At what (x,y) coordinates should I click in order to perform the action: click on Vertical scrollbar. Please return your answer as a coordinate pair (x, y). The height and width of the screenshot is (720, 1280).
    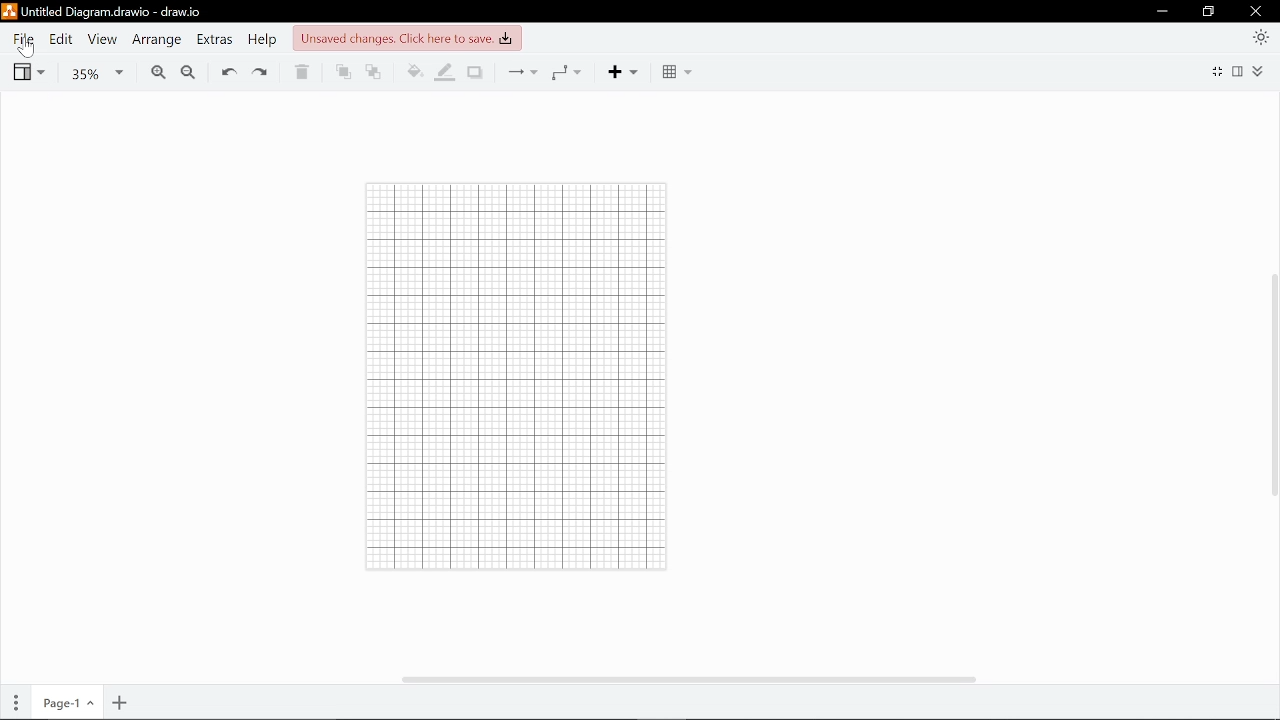
    Looking at the image, I should click on (1272, 385).